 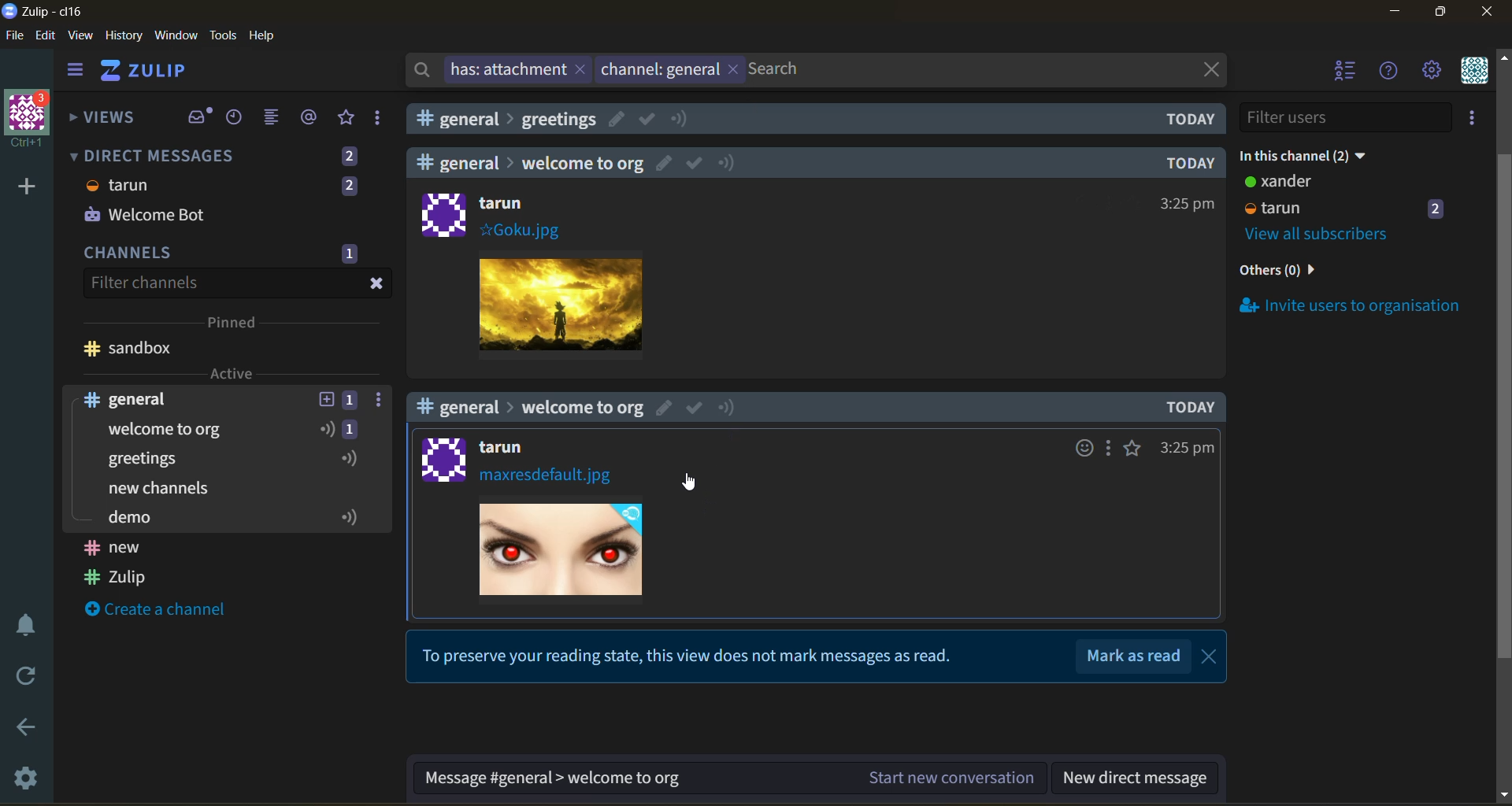 I want to click on settings, so click(x=31, y=775).